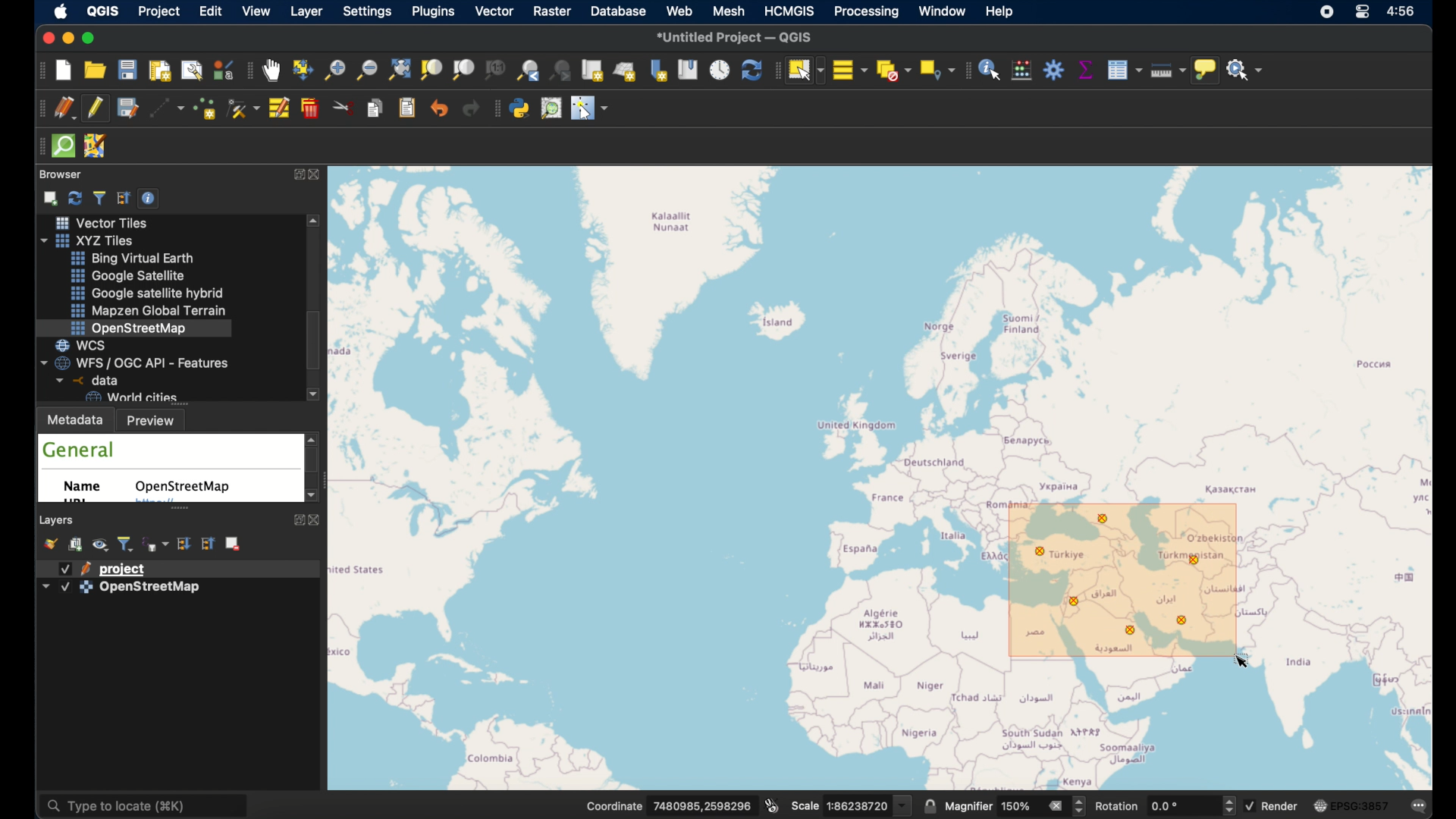 The height and width of the screenshot is (819, 1456). I want to click on mapzen global terrain, so click(151, 311).